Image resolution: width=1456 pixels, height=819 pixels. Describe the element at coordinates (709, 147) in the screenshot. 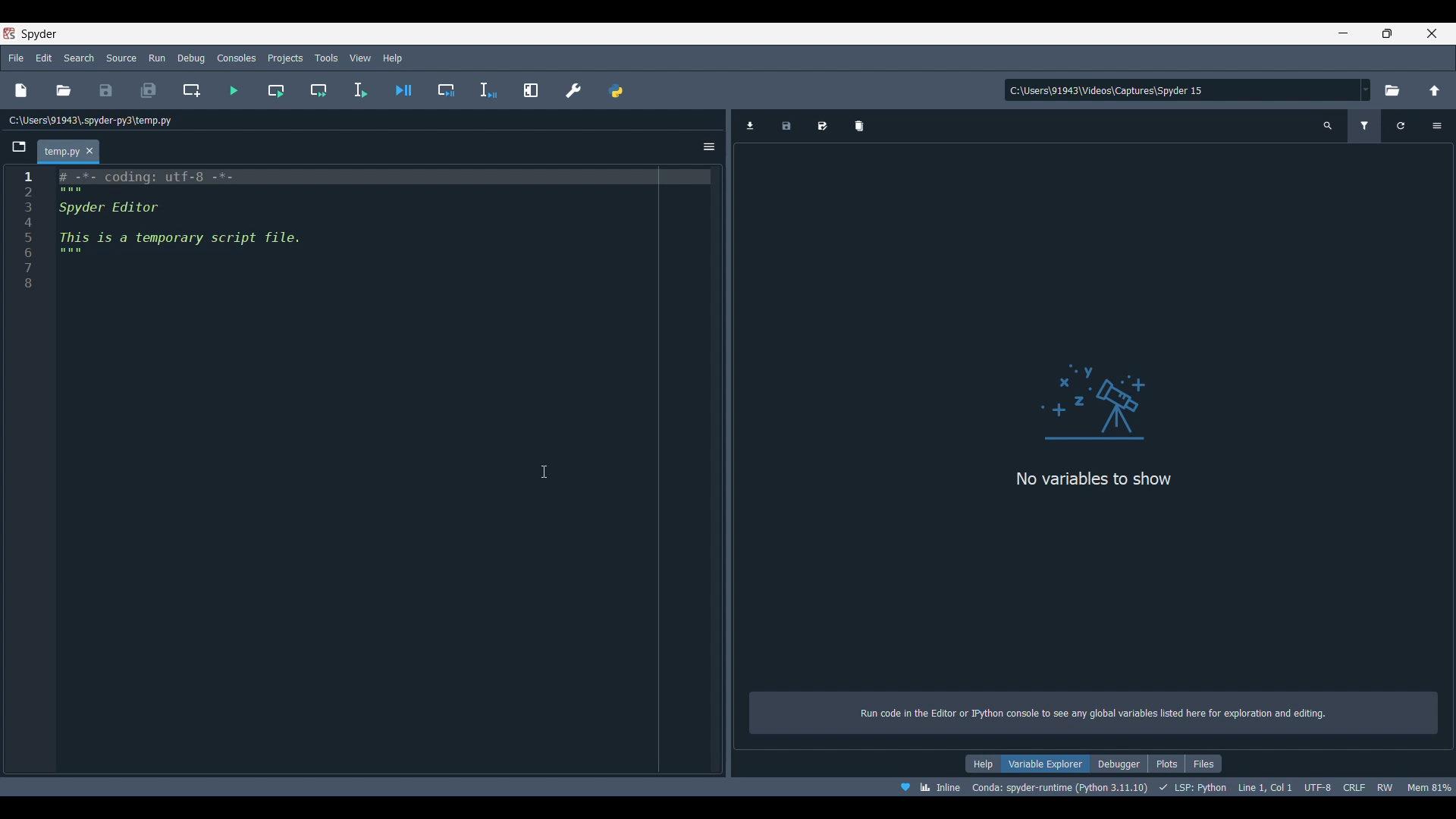

I see `Options` at that location.